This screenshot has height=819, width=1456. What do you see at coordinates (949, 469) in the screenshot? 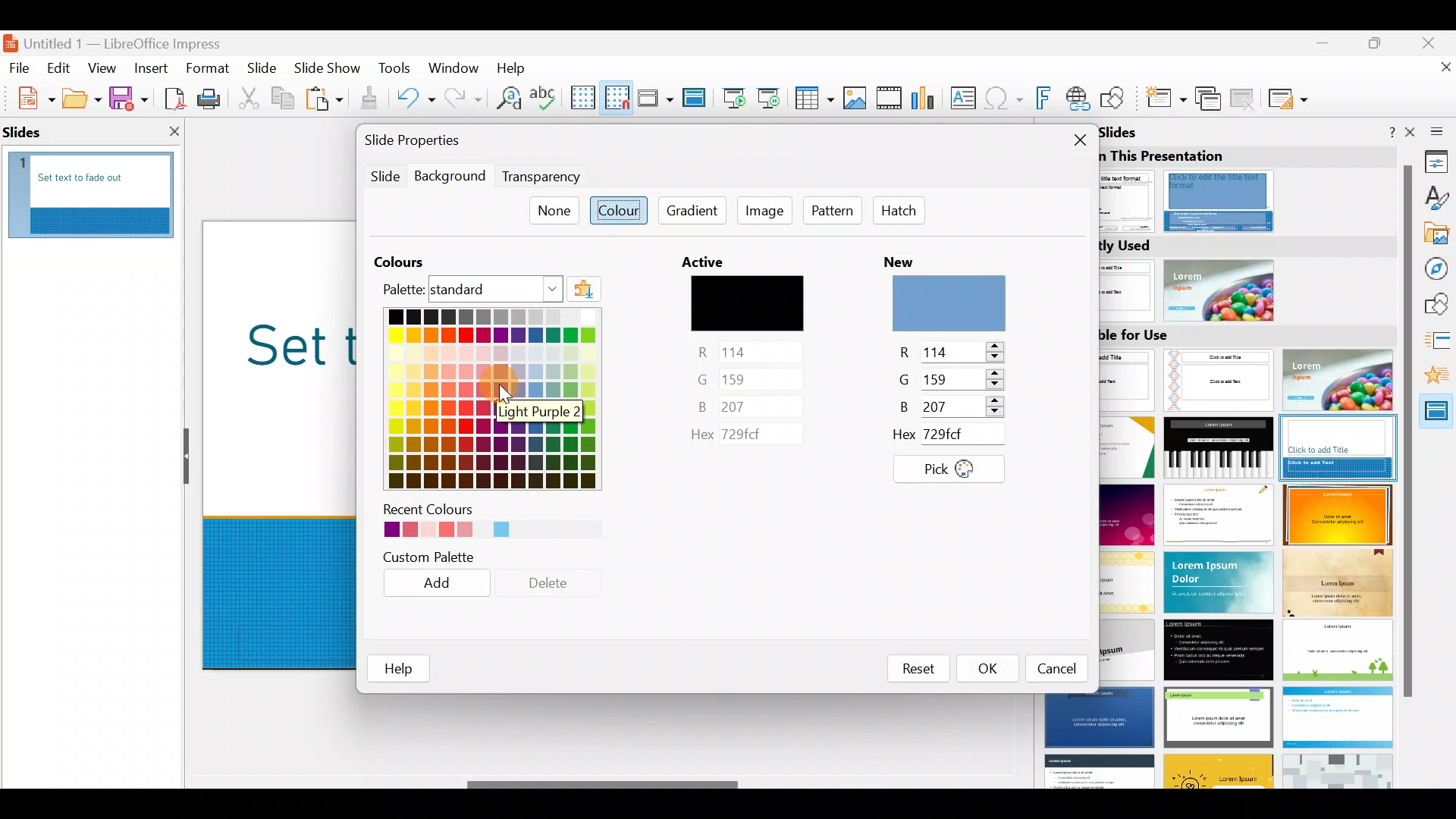
I see `Pick` at bounding box center [949, 469].